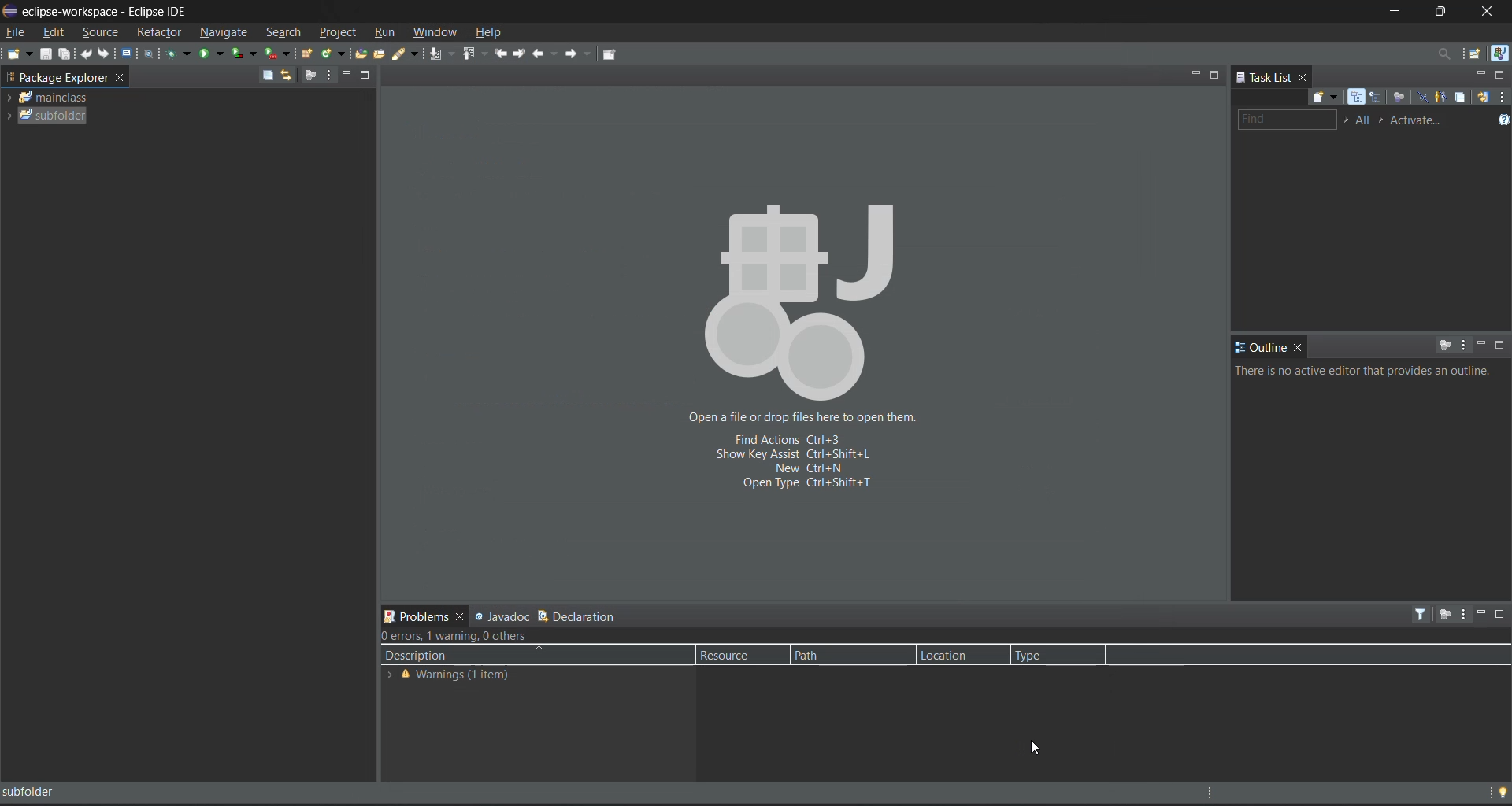  Describe the element at coordinates (286, 75) in the screenshot. I see `link with editor` at that location.